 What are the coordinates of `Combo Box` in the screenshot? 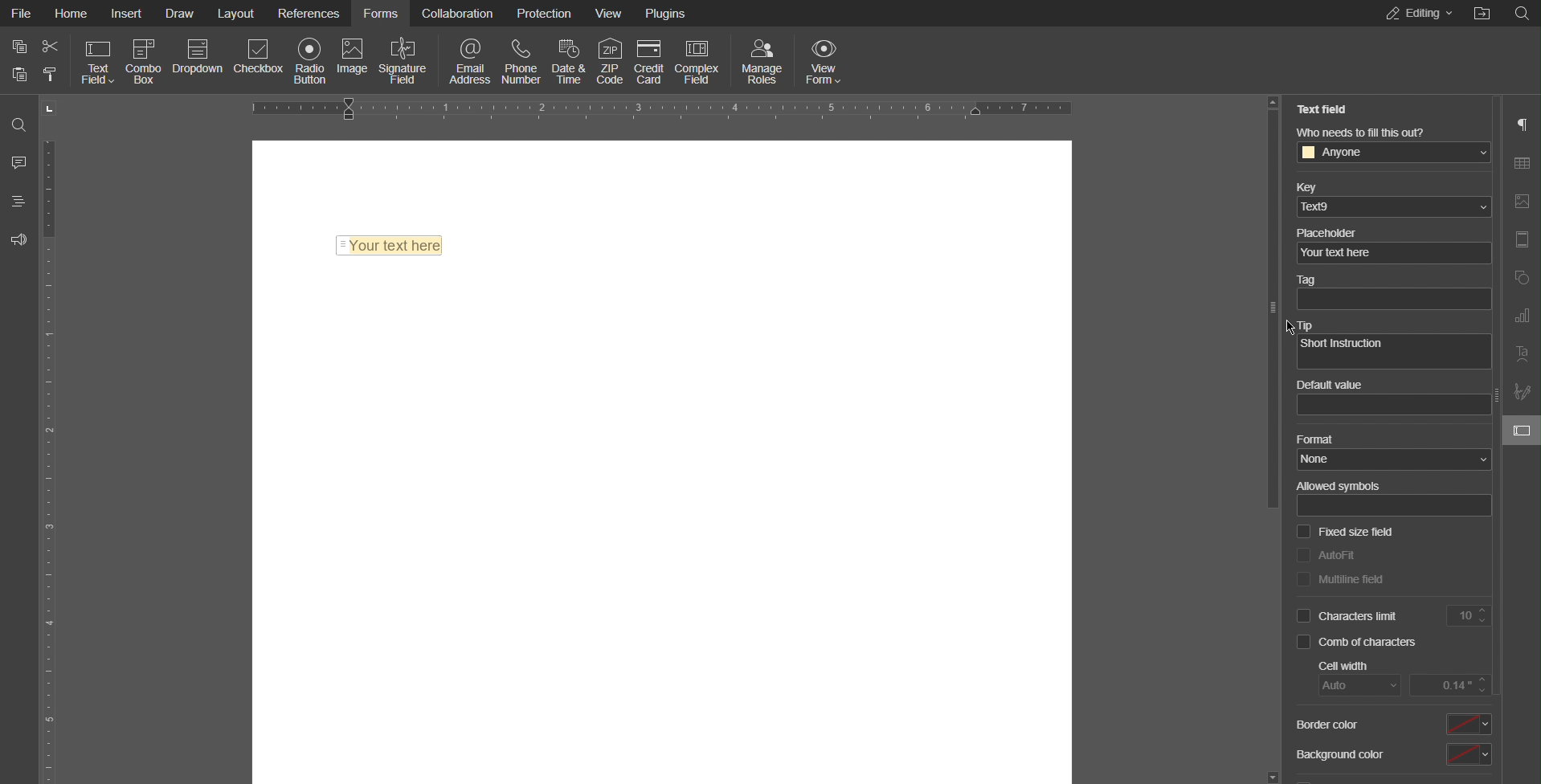 It's located at (144, 61).